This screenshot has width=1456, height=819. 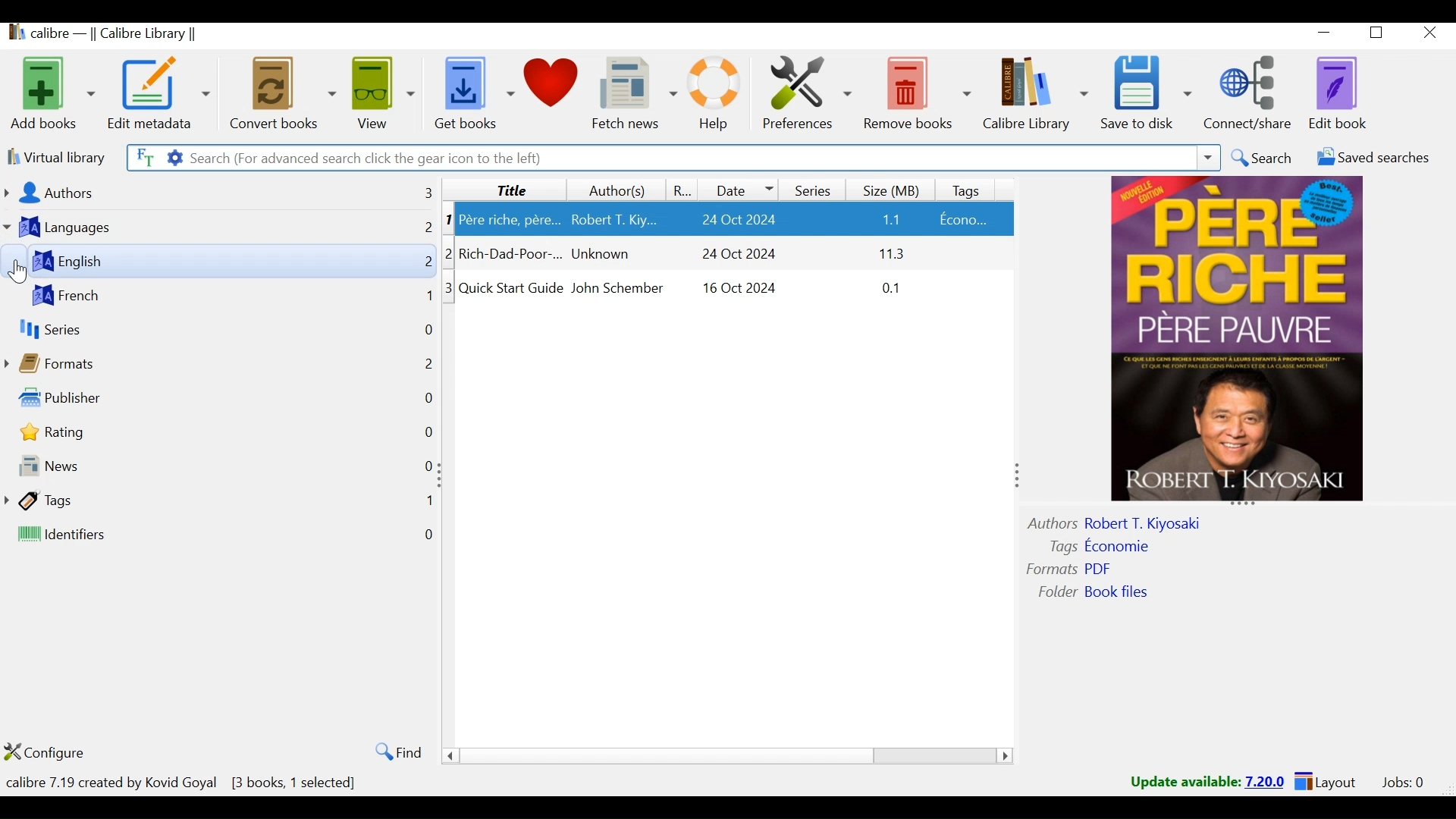 I want to click on configure, so click(x=60, y=752).